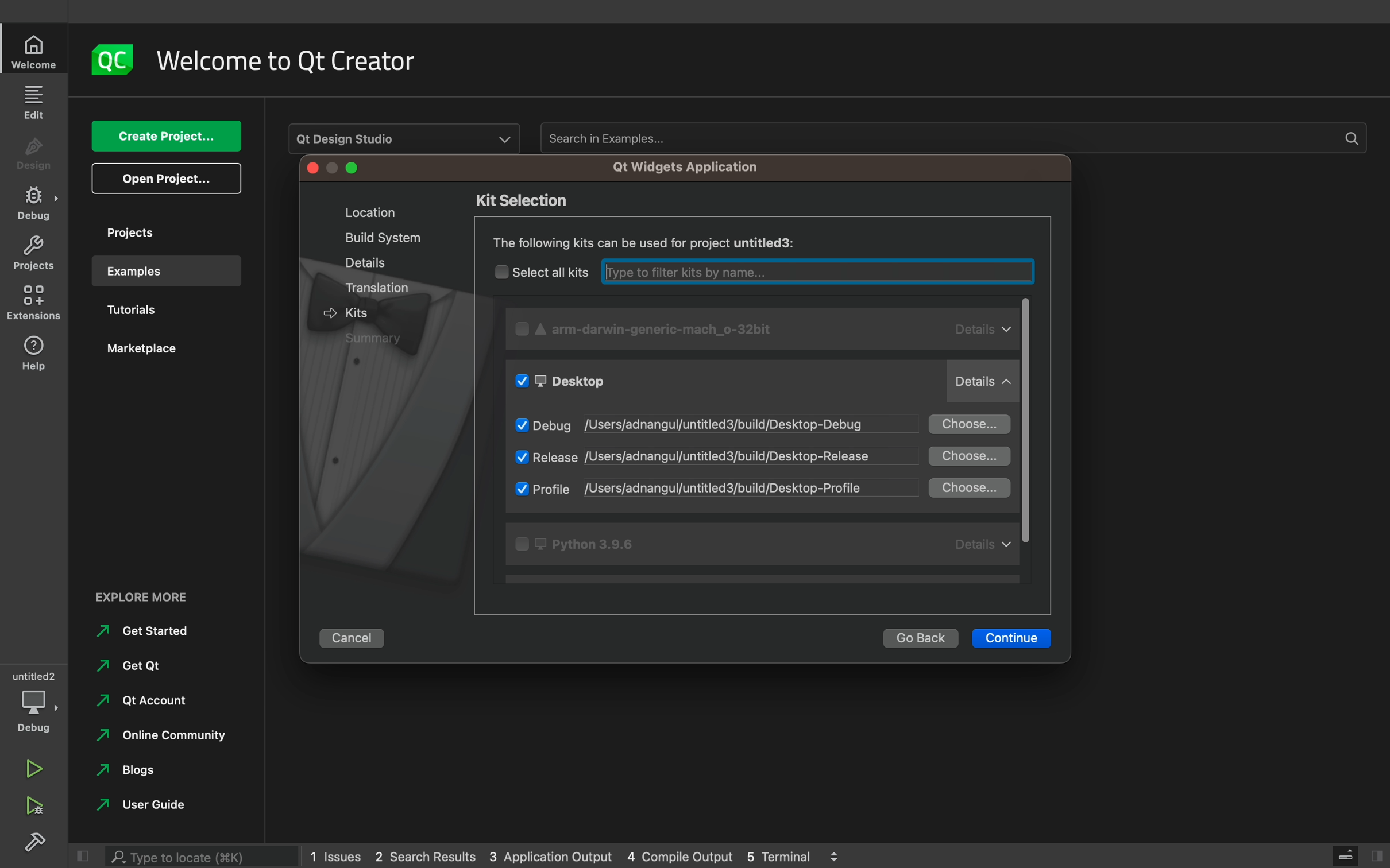 Image resolution: width=1390 pixels, height=868 pixels. I want to click on help, so click(34, 352).